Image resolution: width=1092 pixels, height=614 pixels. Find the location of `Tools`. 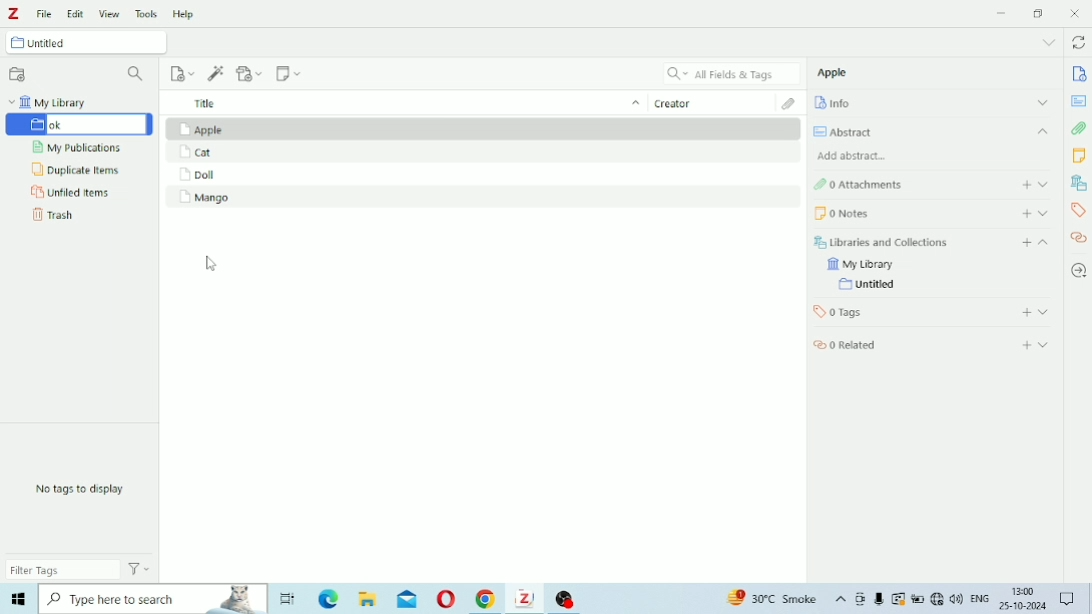

Tools is located at coordinates (147, 13).